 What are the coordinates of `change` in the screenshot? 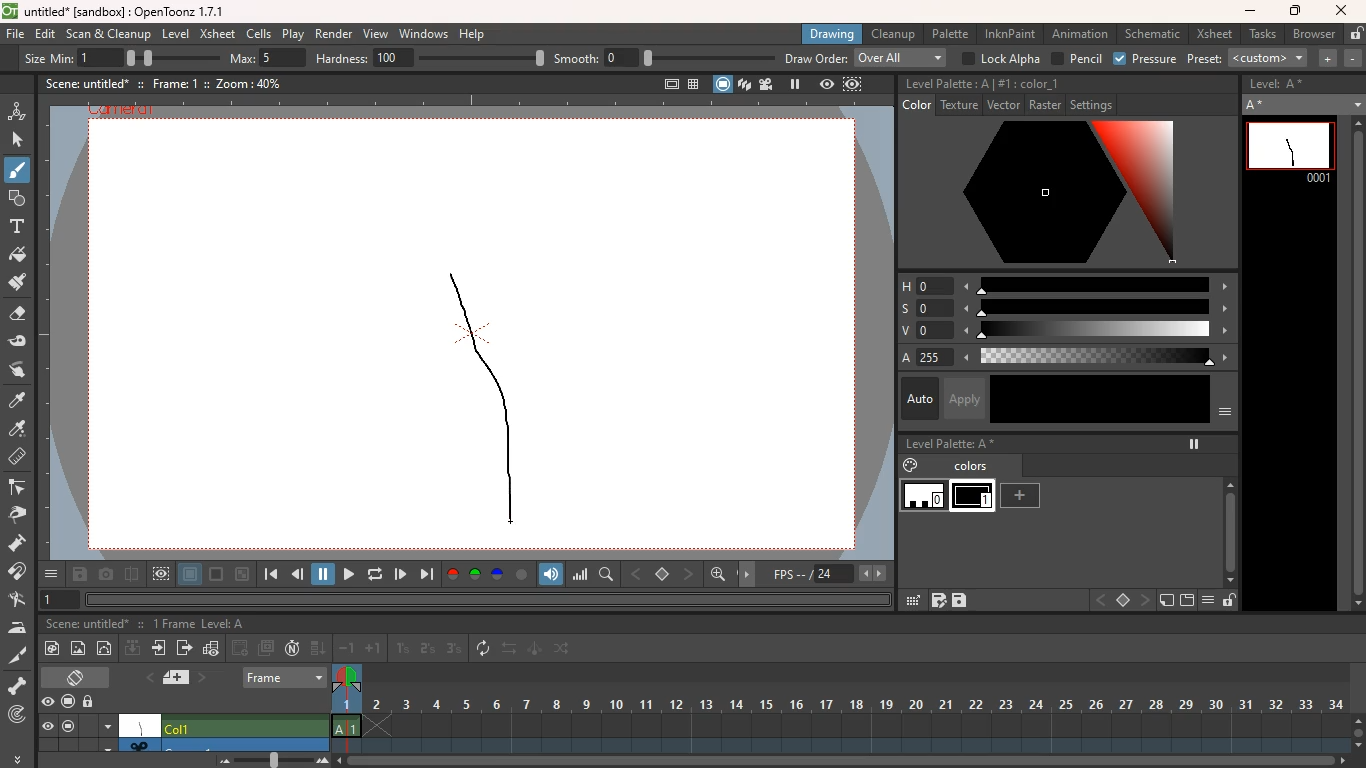 It's located at (565, 651).